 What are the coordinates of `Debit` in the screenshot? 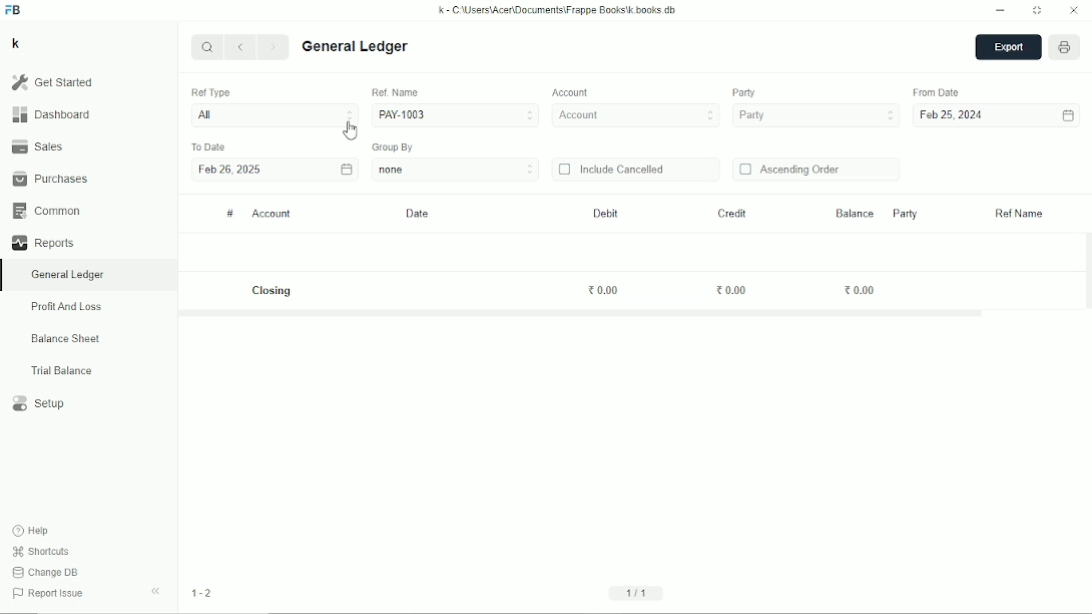 It's located at (606, 213).